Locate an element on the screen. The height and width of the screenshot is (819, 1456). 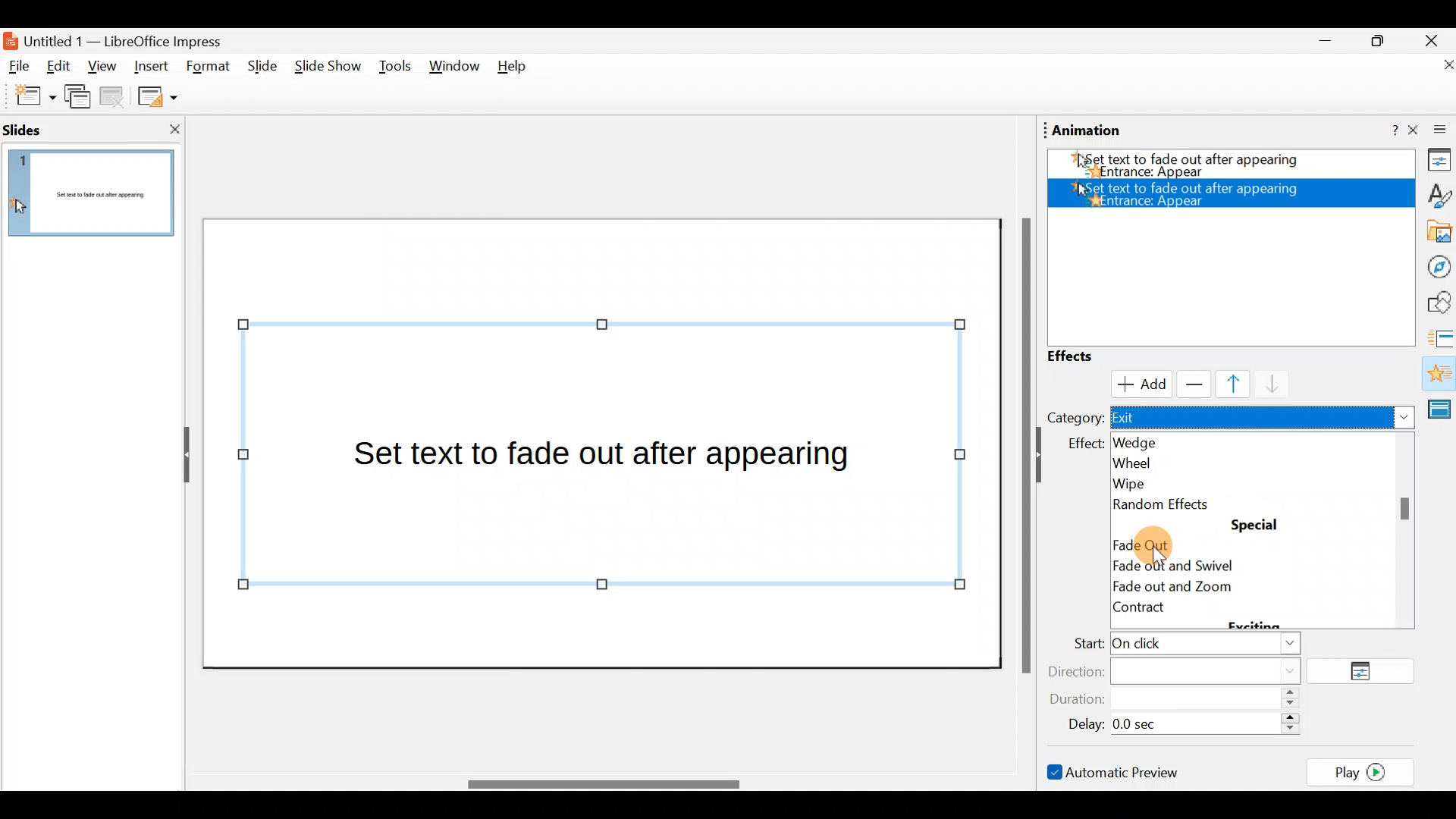
Delay is located at coordinates (1179, 722).